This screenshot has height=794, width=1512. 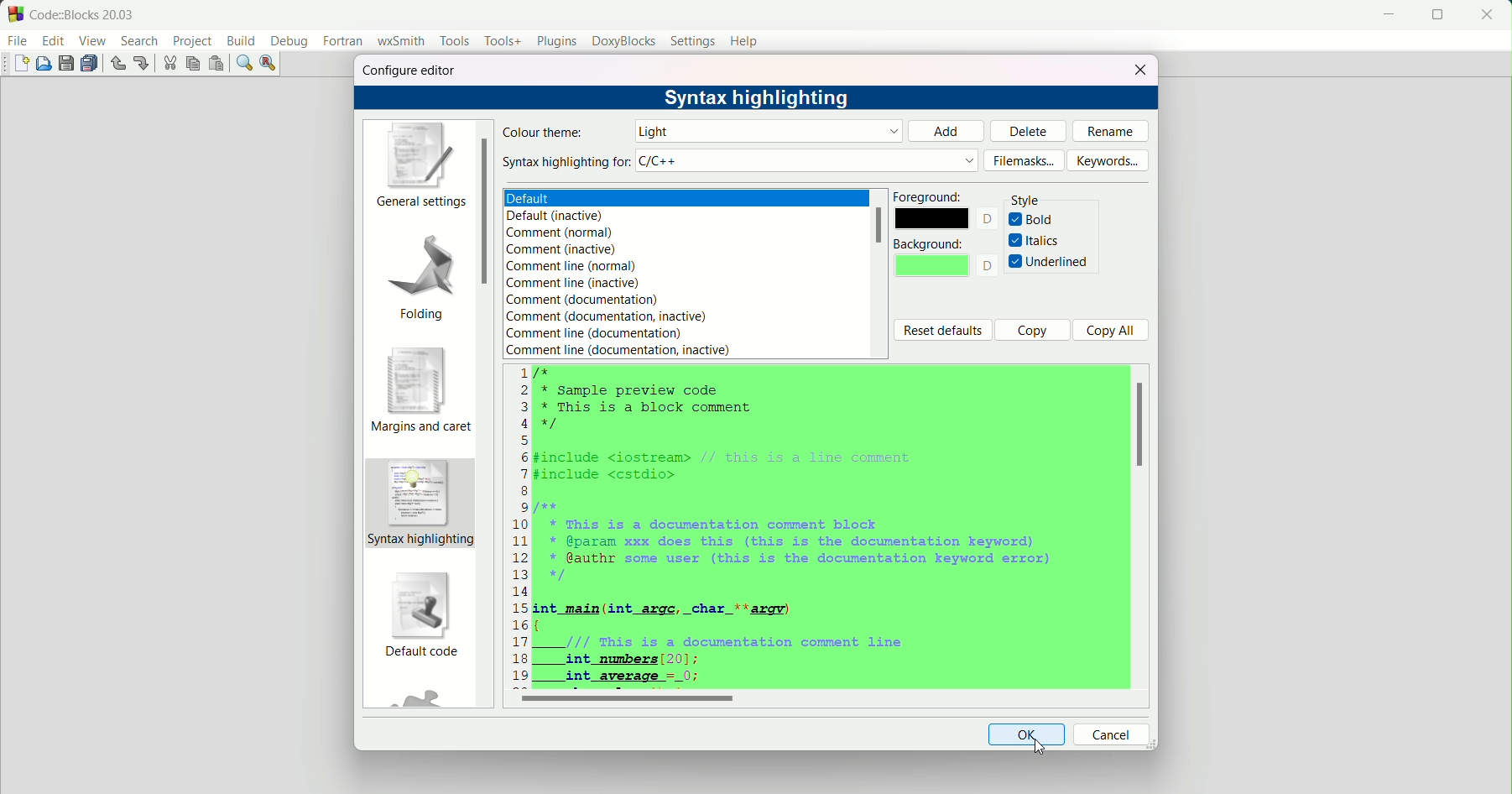 I want to click on scroll bar, so click(x=1140, y=426).